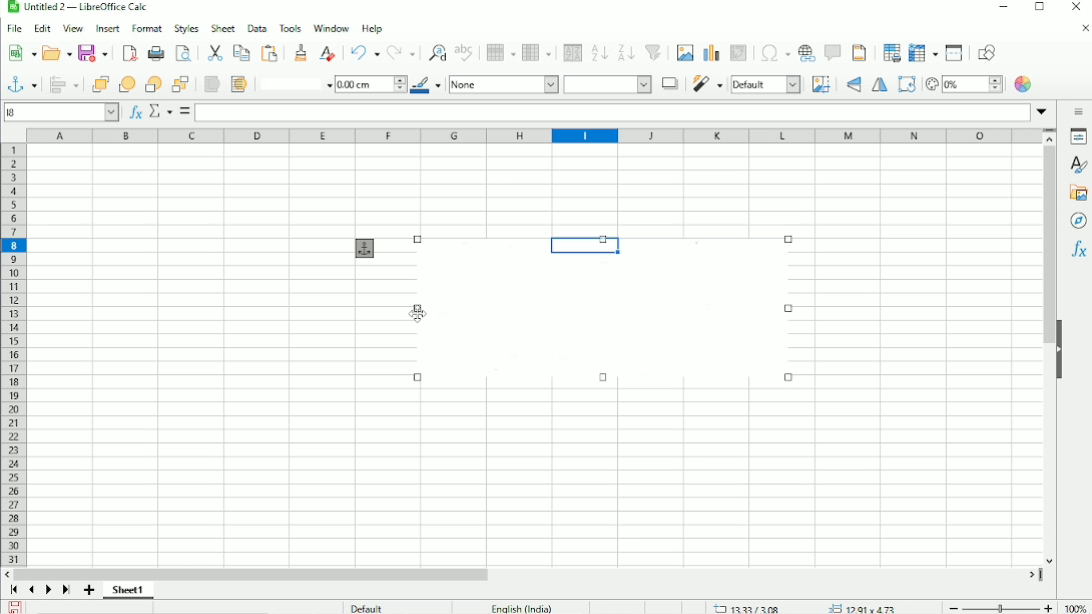 The image size is (1092, 614). I want to click on Default, so click(366, 606).